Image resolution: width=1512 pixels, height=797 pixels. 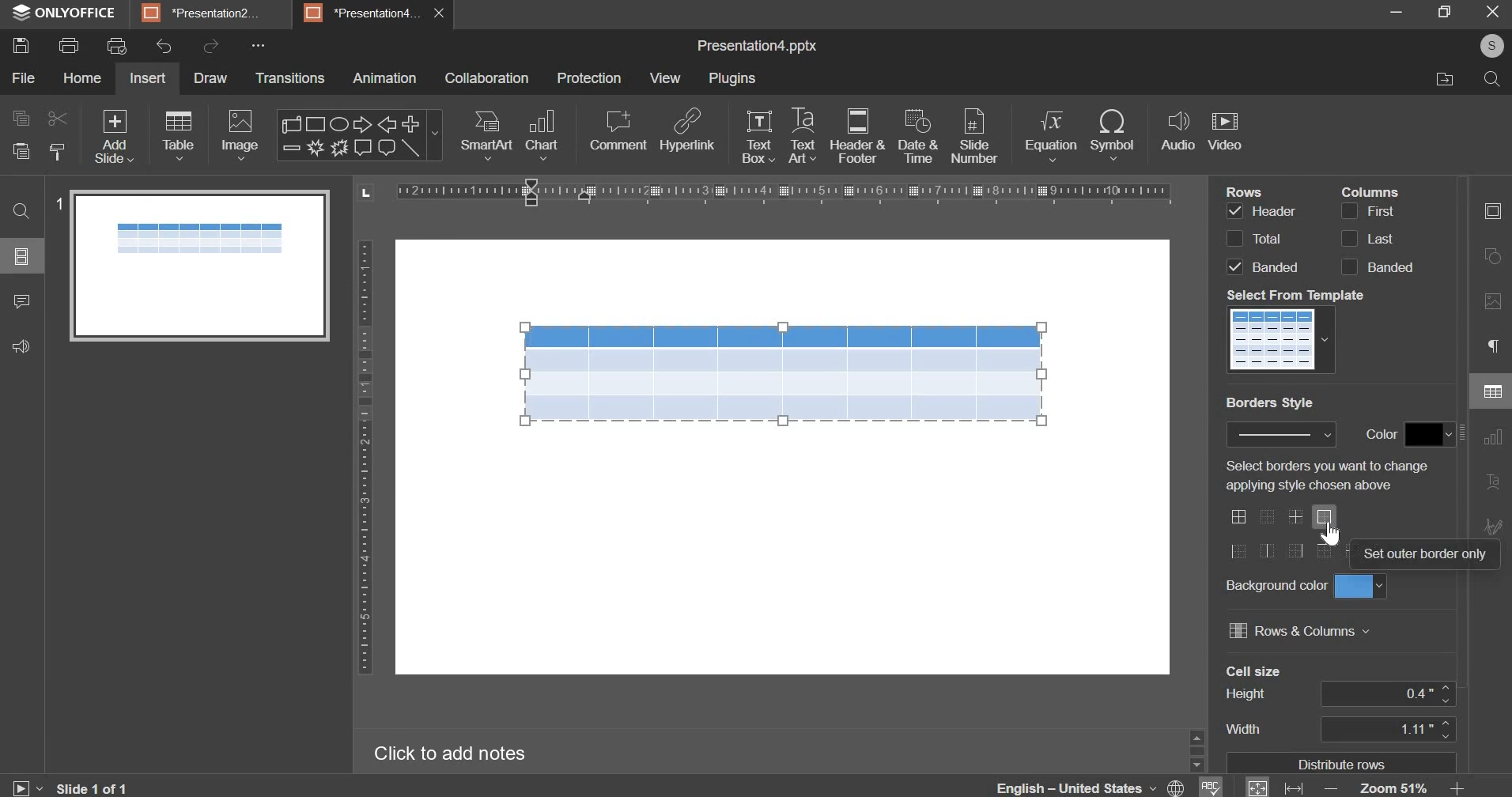 I want to click on select from template, so click(x=1299, y=292).